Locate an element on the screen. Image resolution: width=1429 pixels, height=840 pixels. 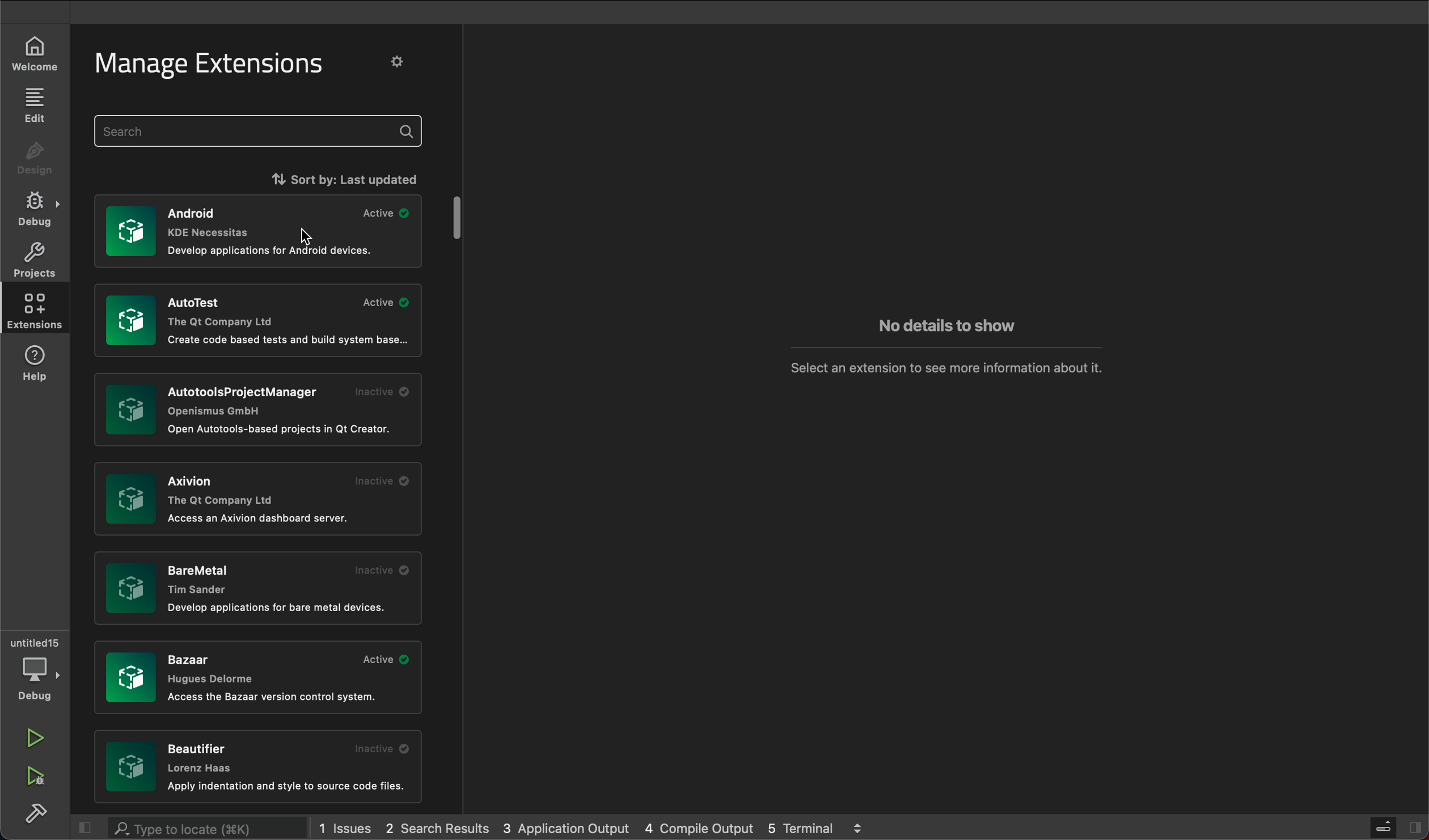
control panel is located at coordinates (1379, 825).